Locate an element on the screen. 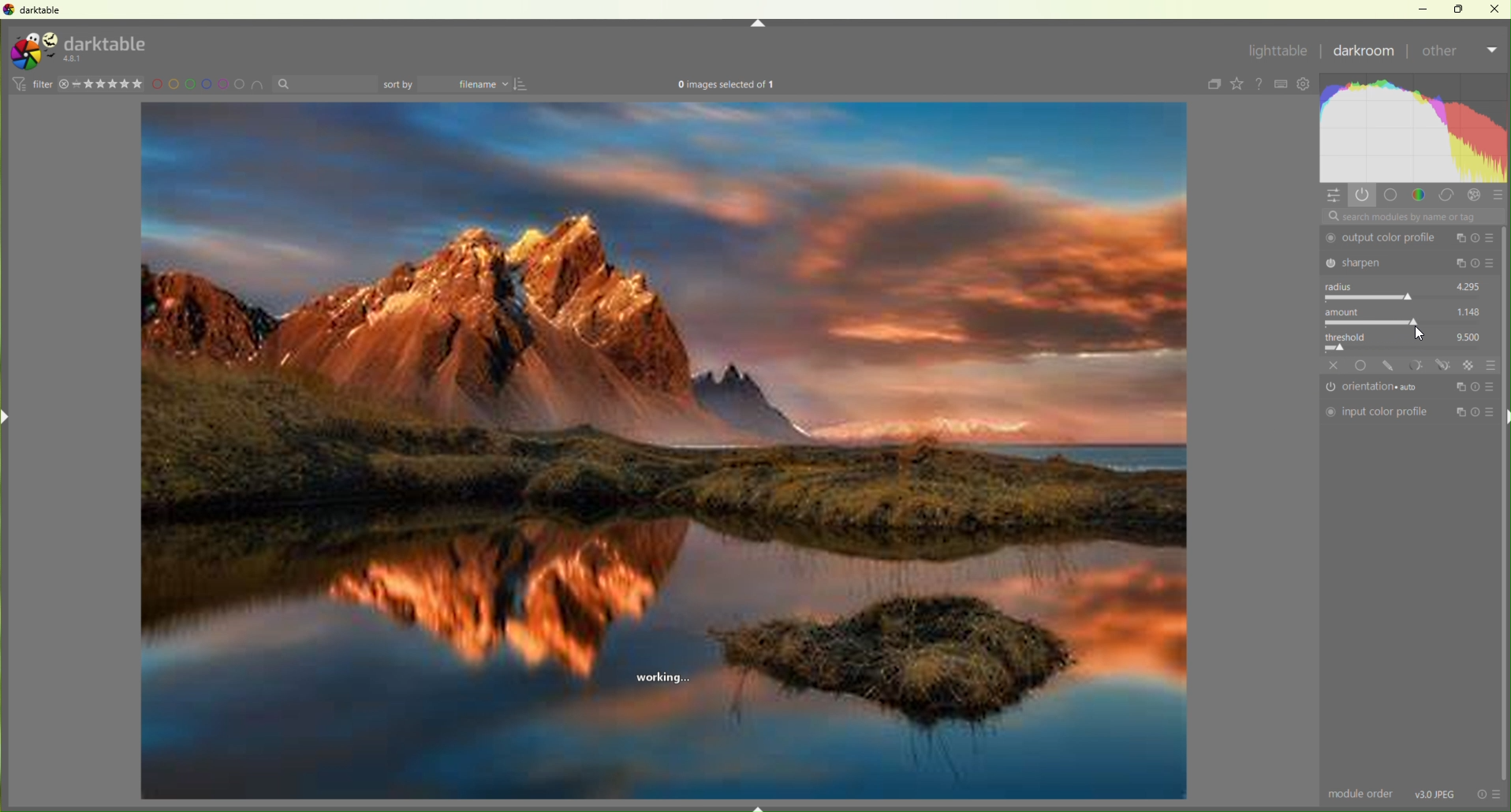 The width and height of the screenshot is (1511, 812). amount is located at coordinates (1347, 311).